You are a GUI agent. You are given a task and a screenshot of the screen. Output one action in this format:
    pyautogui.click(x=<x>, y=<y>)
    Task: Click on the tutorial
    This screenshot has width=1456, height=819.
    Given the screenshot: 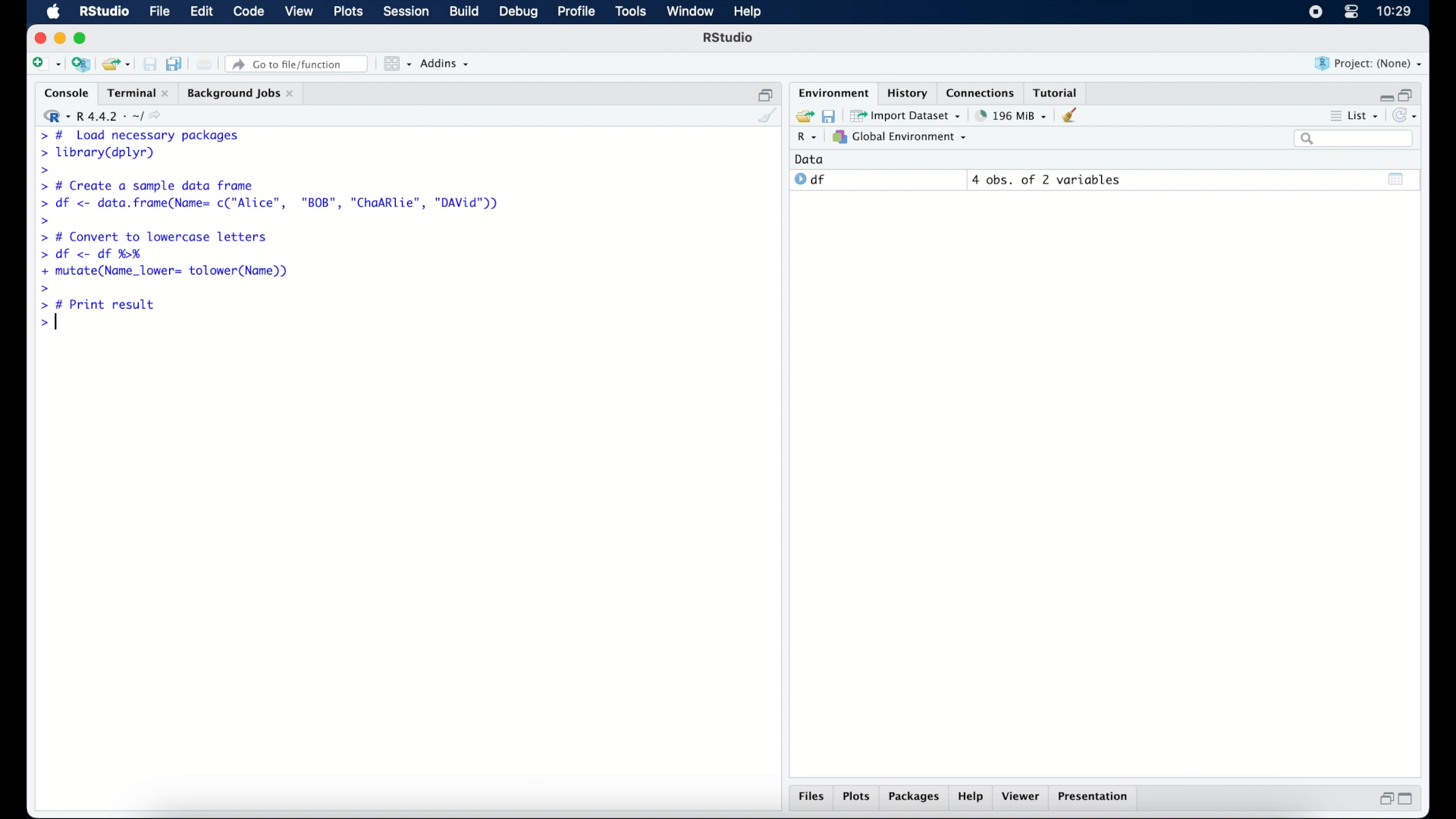 What is the action you would take?
    pyautogui.click(x=1059, y=92)
    